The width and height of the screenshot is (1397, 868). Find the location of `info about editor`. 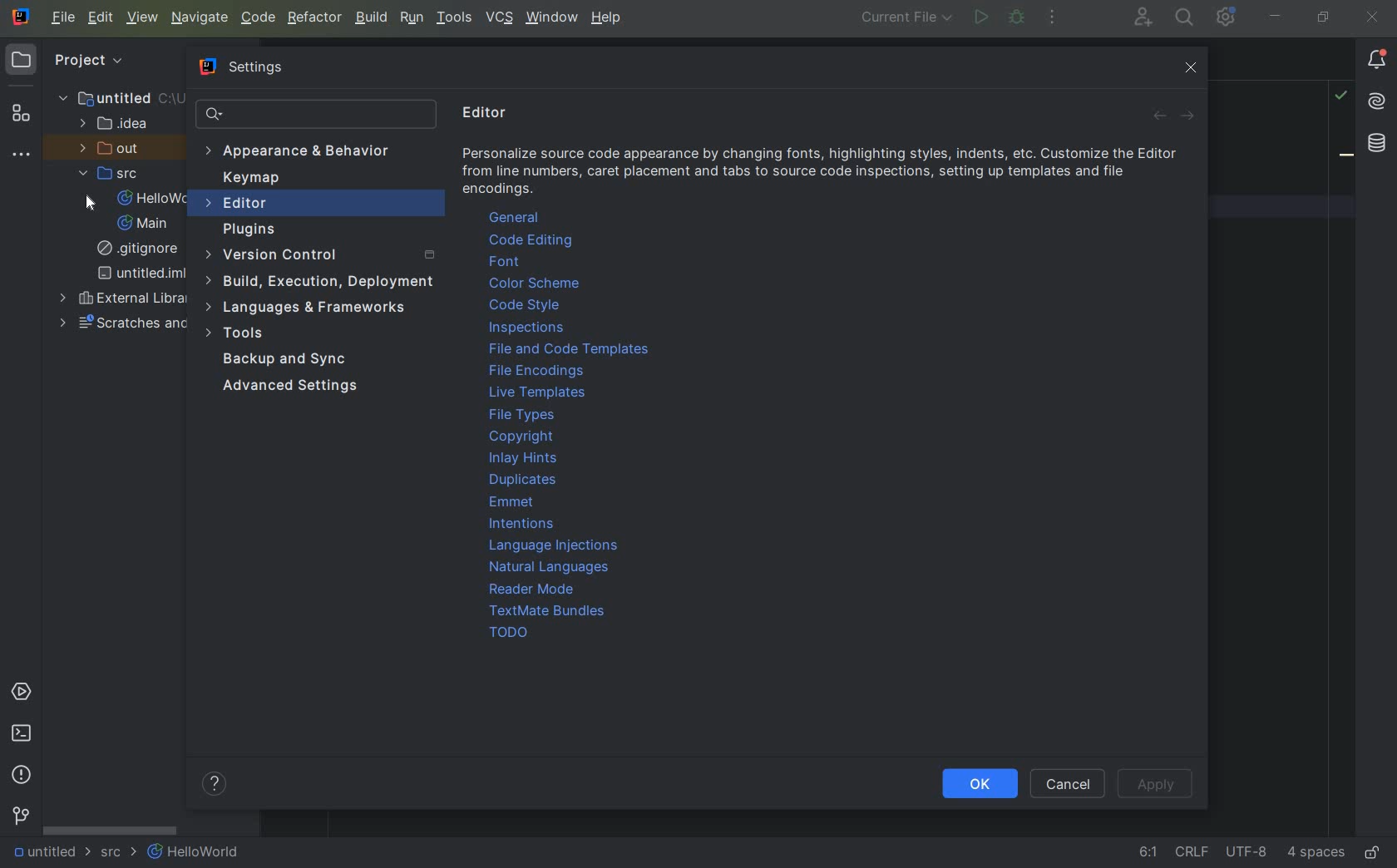

info about editor is located at coordinates (823, 168).